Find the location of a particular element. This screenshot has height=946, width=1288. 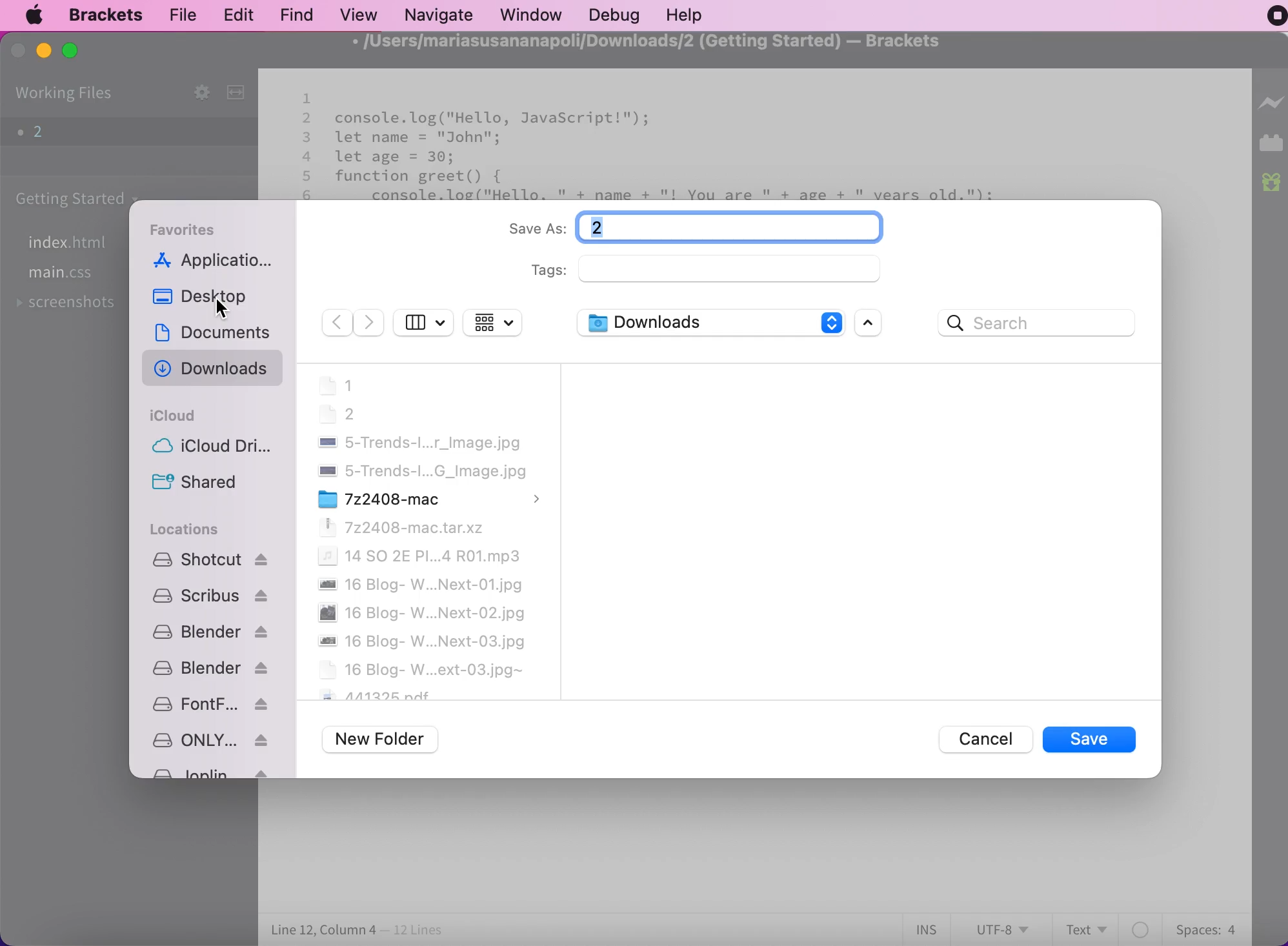

2 is located at coordinates (110, 132).